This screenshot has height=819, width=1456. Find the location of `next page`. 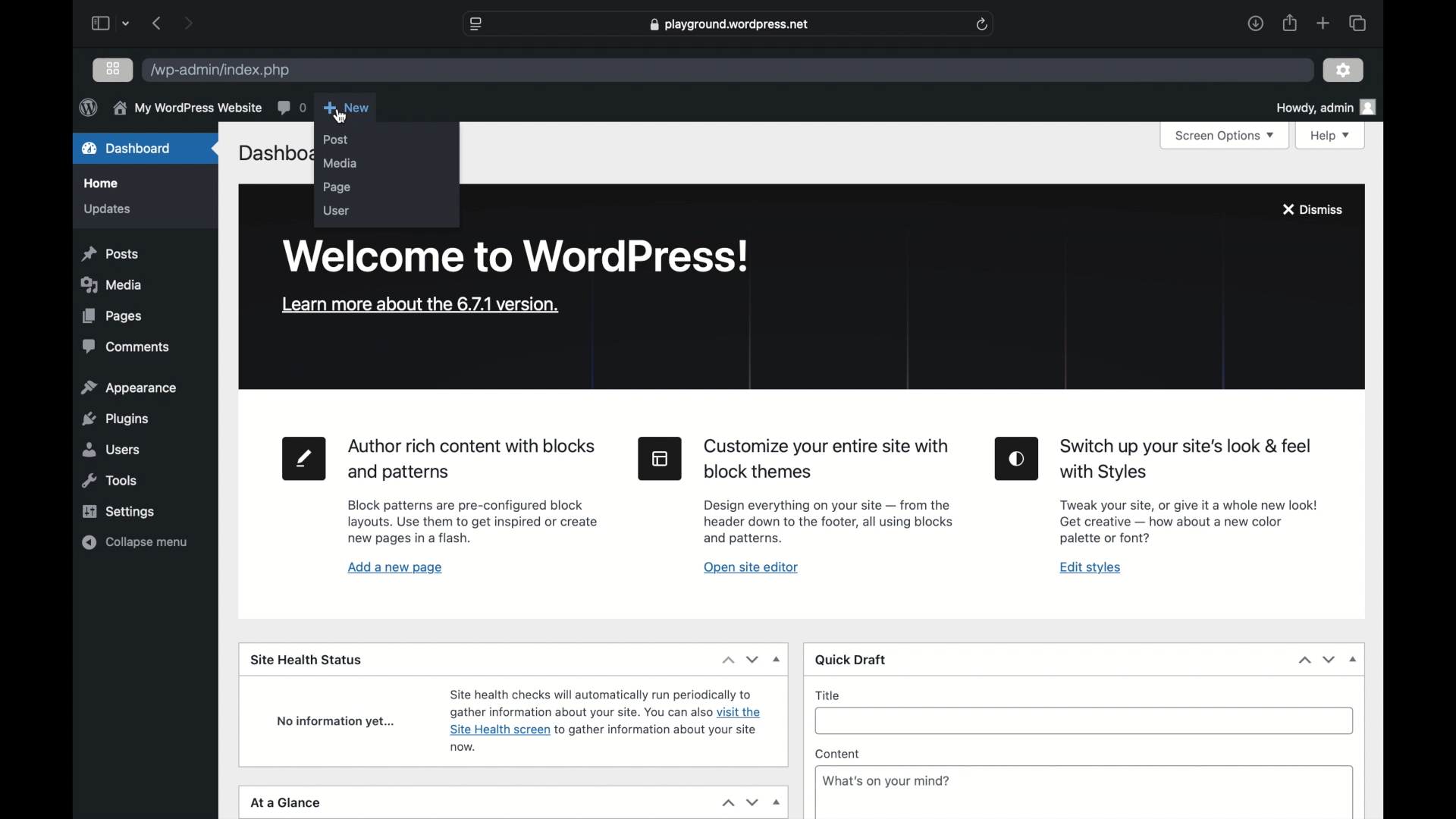

next page is located at coordinates (188, 23).